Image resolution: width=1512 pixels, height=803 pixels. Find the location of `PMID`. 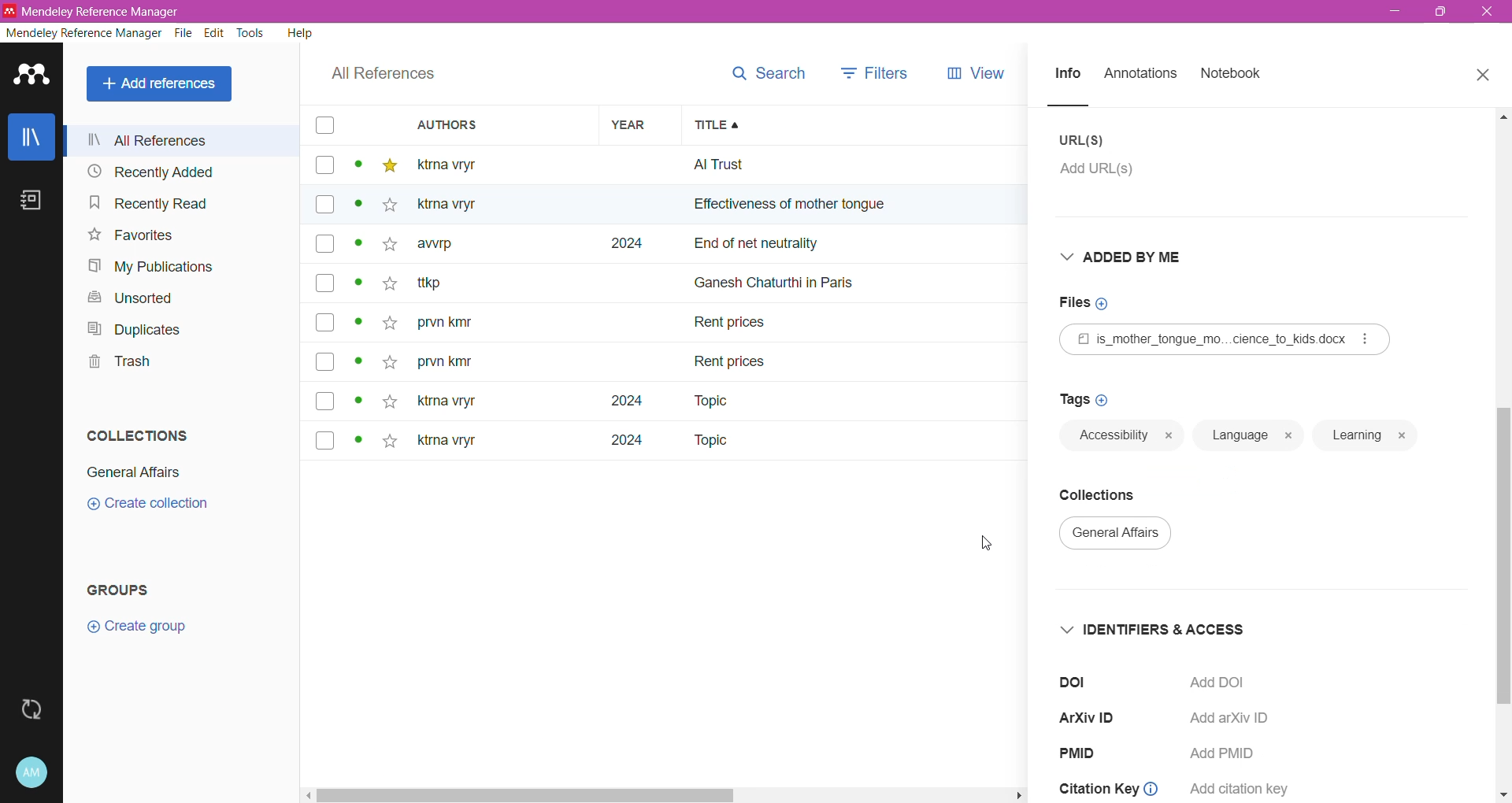

PMID is located at coordinates (1077, 752).